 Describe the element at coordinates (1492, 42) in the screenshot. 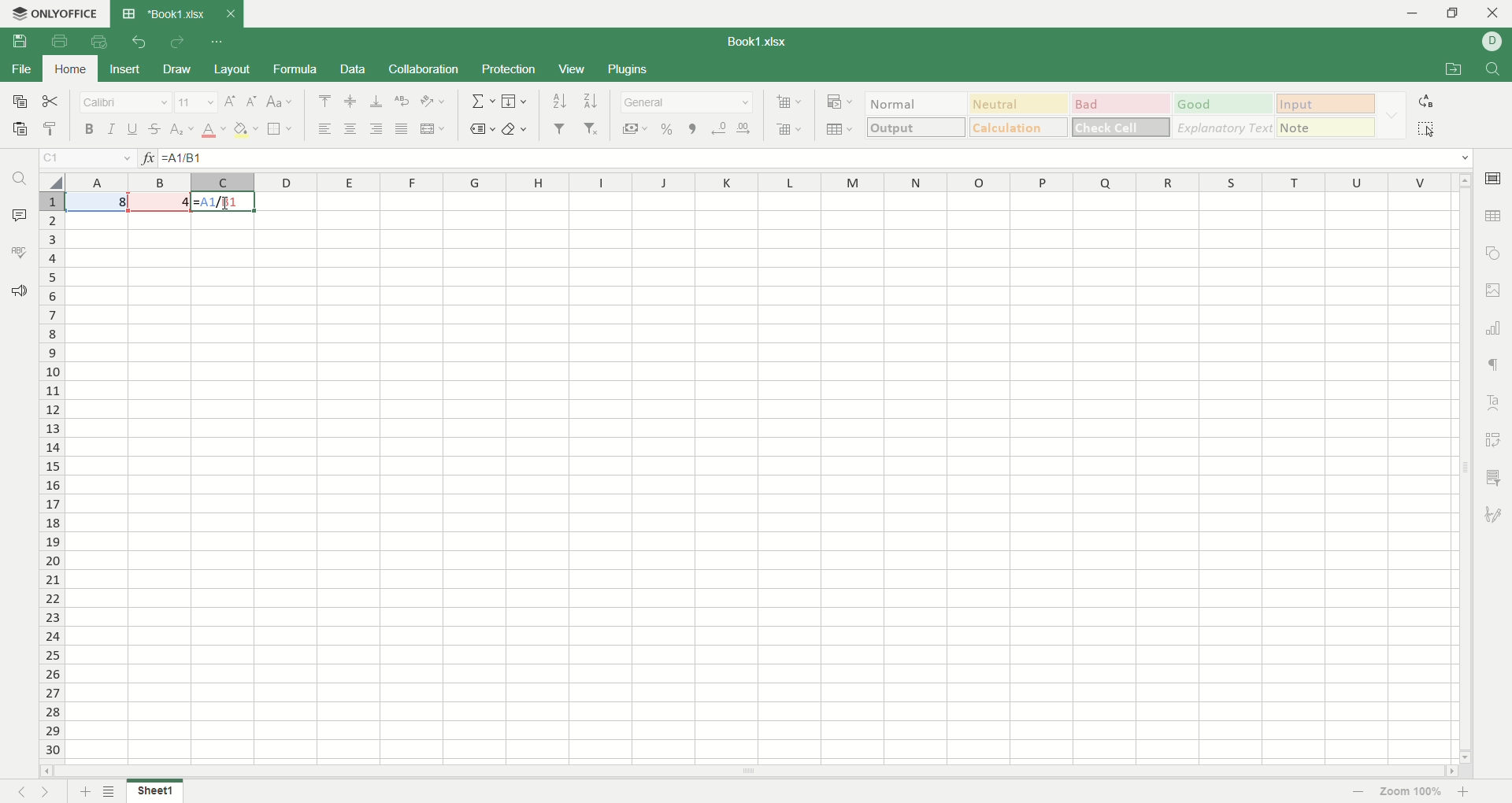

I see `username` at that location.